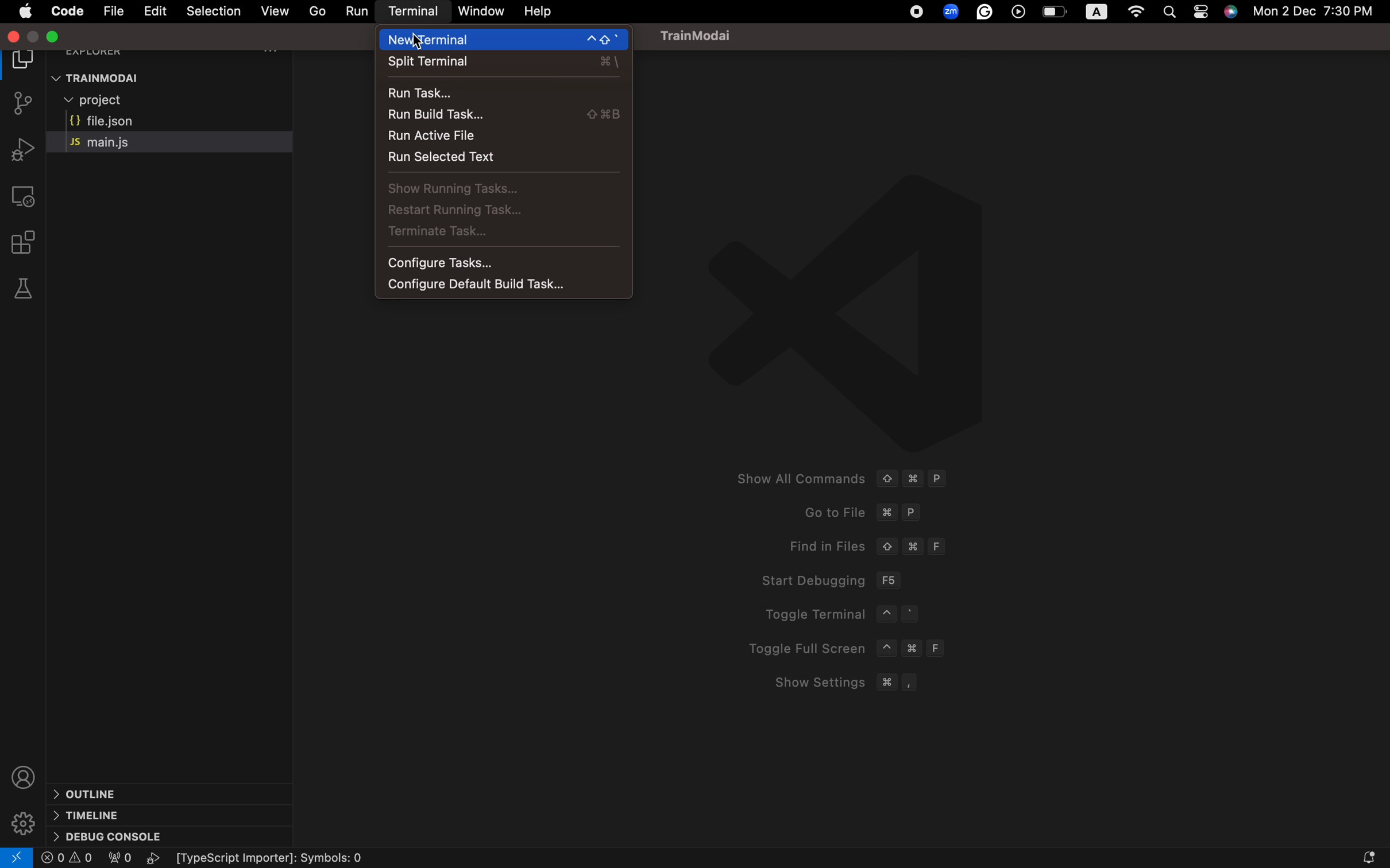 The width and height of the screenshot is (1390, 868). What do you see at coordinates (177, 77) in the screenshot?
I see `files and folders` at bounding box center [177, 77].